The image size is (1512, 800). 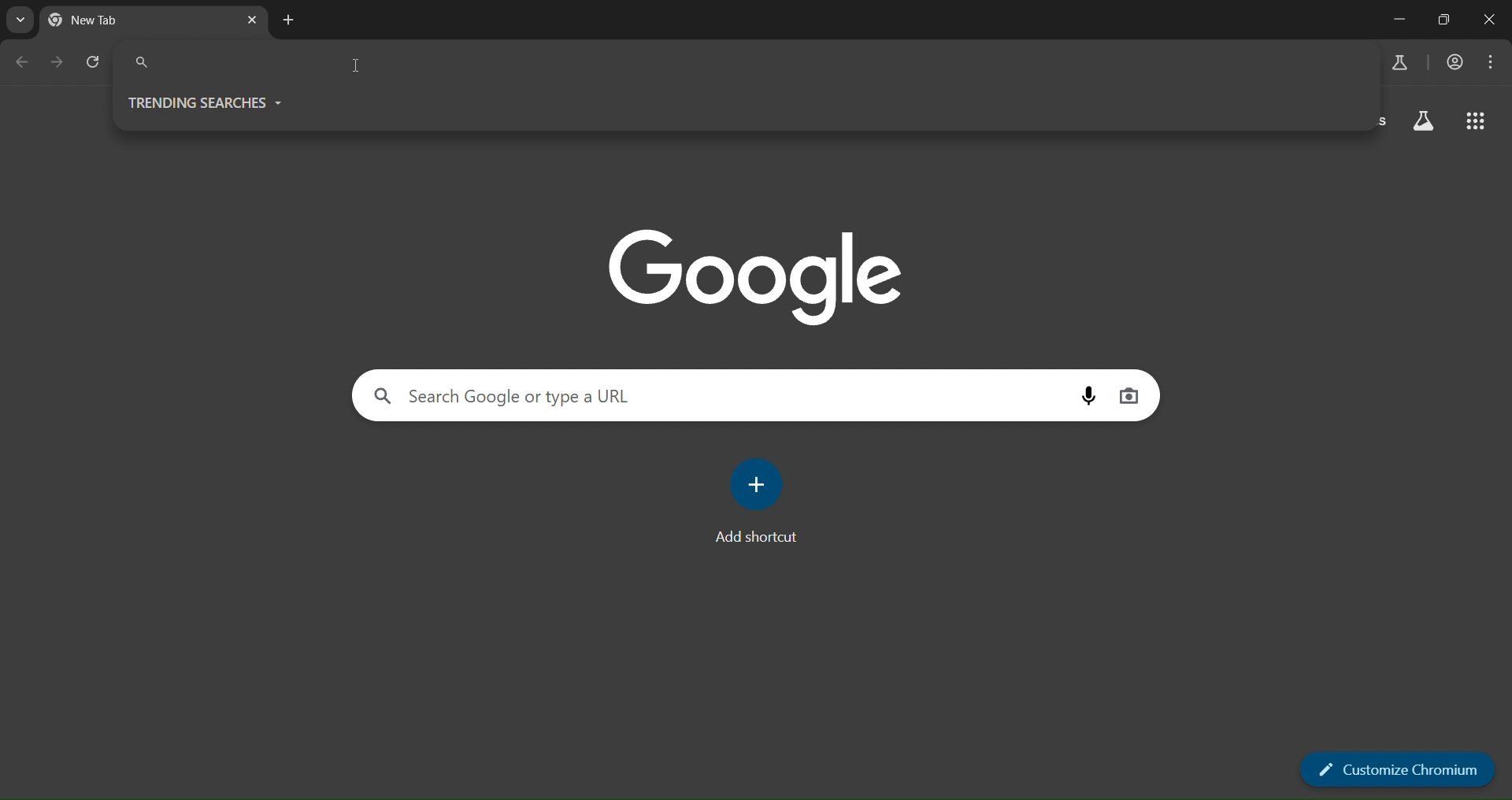 I want to click on add shortcut, so click(x=762, y=499).